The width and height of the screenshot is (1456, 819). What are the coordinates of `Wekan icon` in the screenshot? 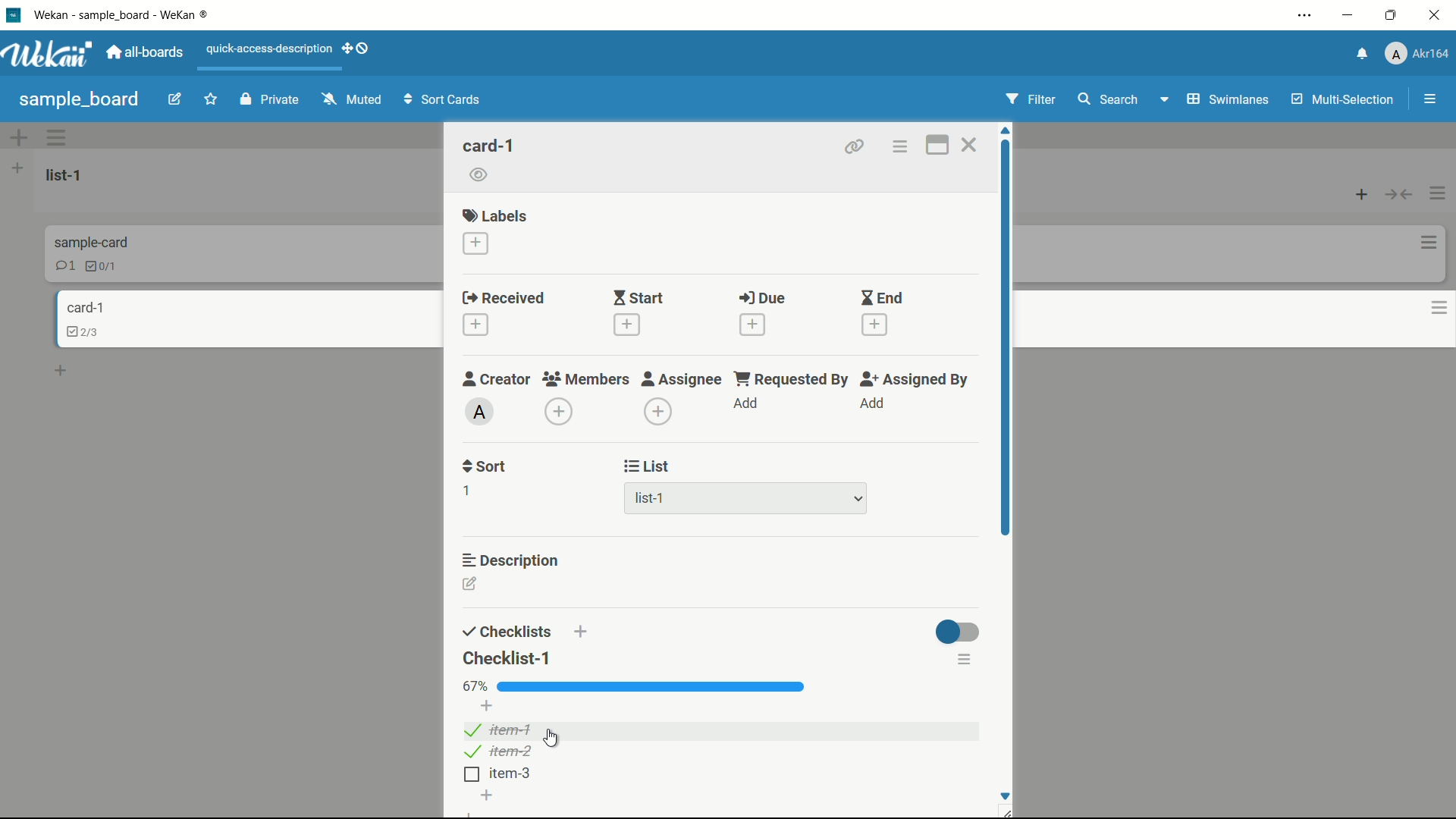 It's located at (13, 15).